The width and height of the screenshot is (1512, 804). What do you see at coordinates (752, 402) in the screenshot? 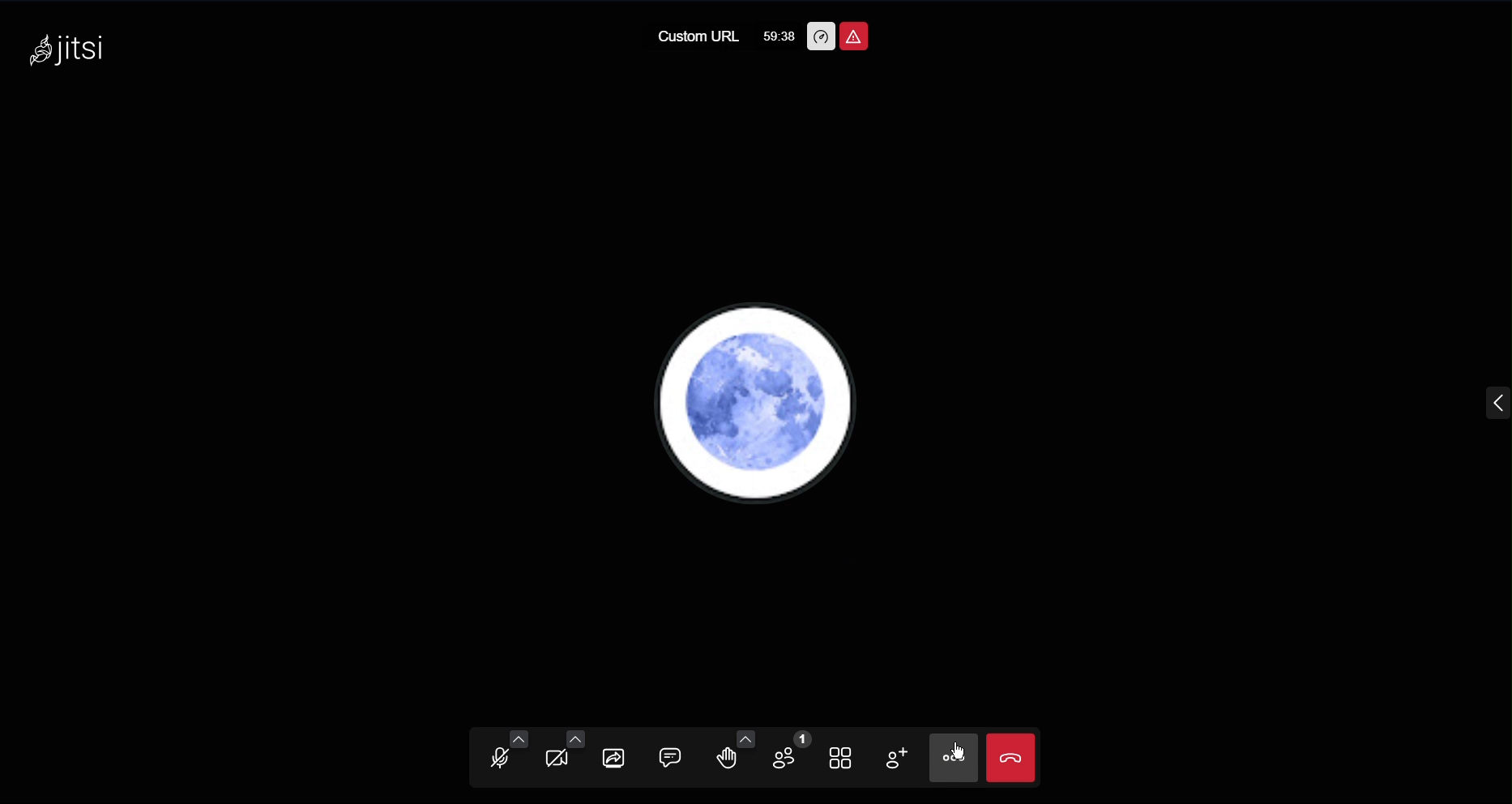
I see `Account Profile Picture` at bounding box center [752, 402].